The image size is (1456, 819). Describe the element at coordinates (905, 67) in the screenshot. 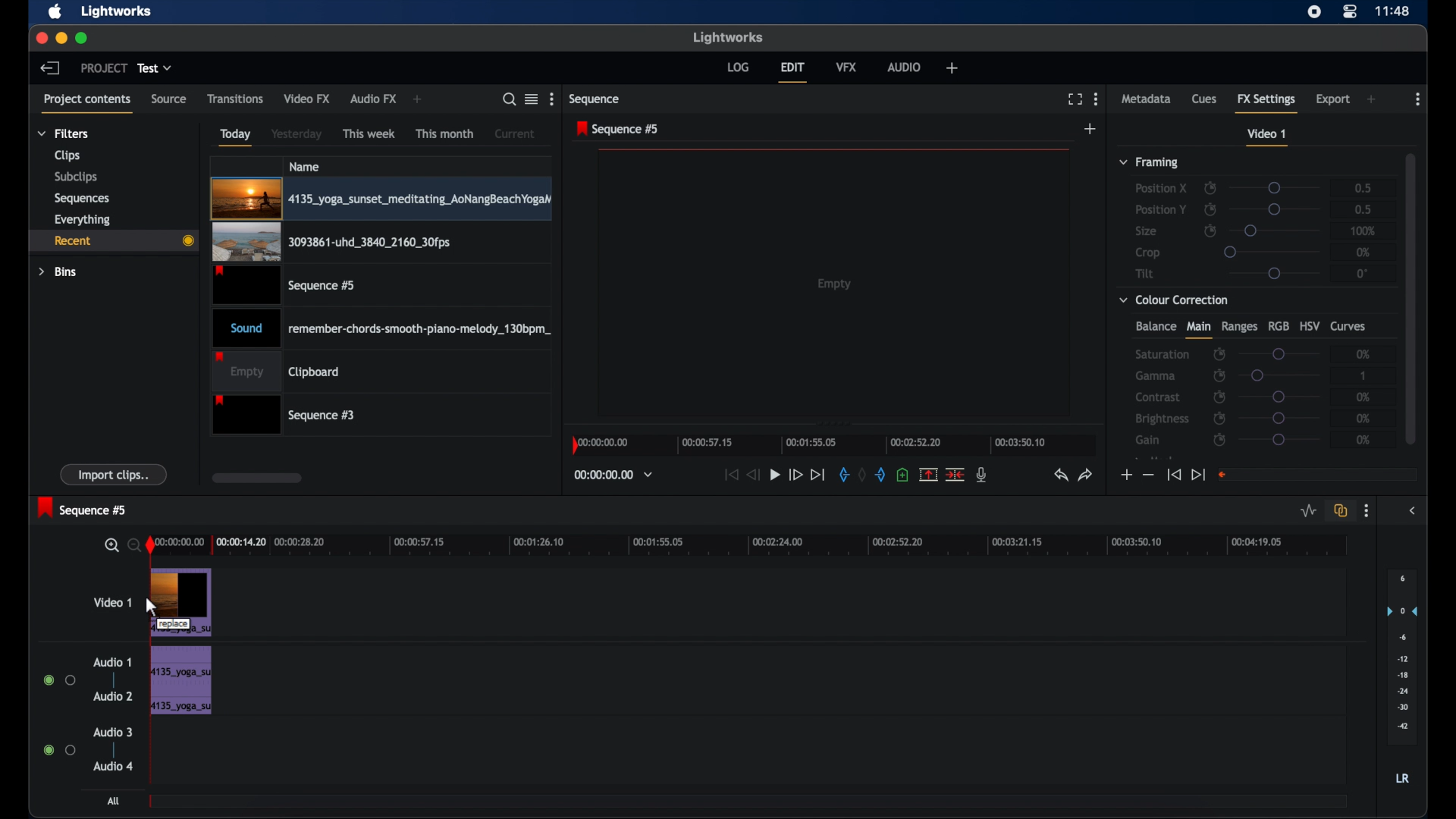

I see `audio` at that location.